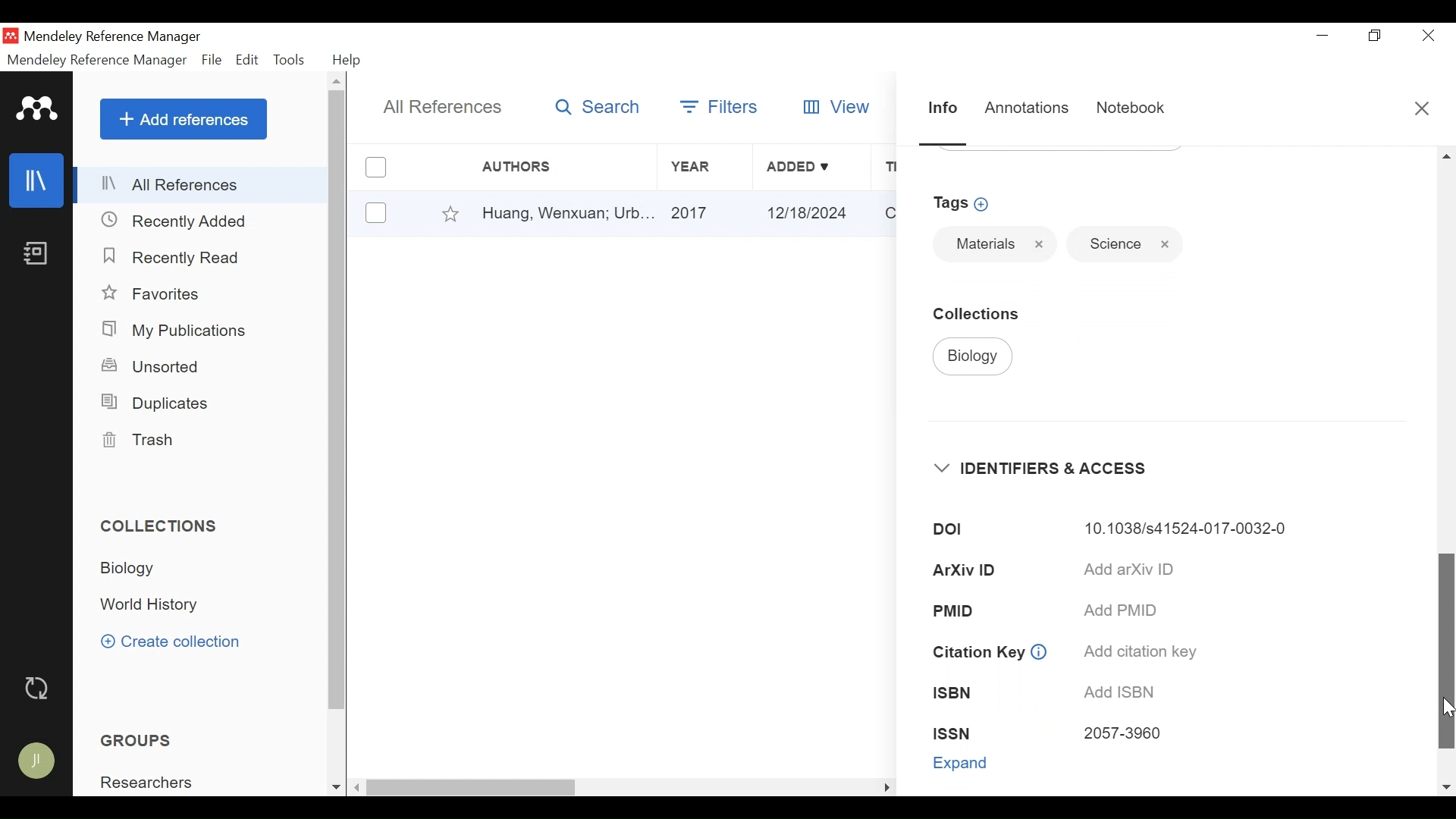  Describe the element at coordinates (567, 214) in the screenshot. I see `Huang, Wenxuan; Urb...` at that location.